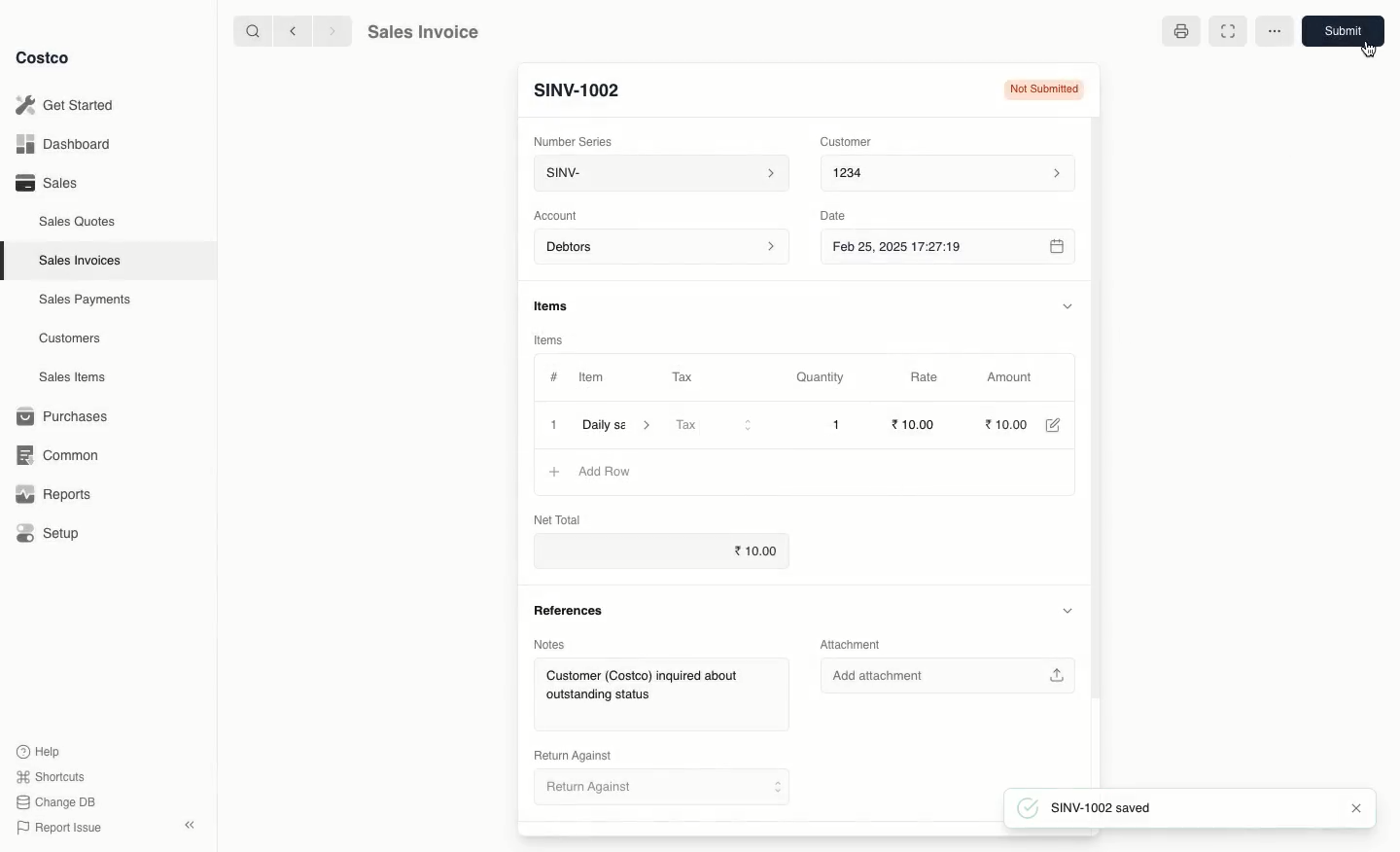 The height and width of the screenshot is (852, 1400). What do you see at coordinates (52, 775) in the screenshot?
I see `Shortcuts` at bounding box center [52, 775].